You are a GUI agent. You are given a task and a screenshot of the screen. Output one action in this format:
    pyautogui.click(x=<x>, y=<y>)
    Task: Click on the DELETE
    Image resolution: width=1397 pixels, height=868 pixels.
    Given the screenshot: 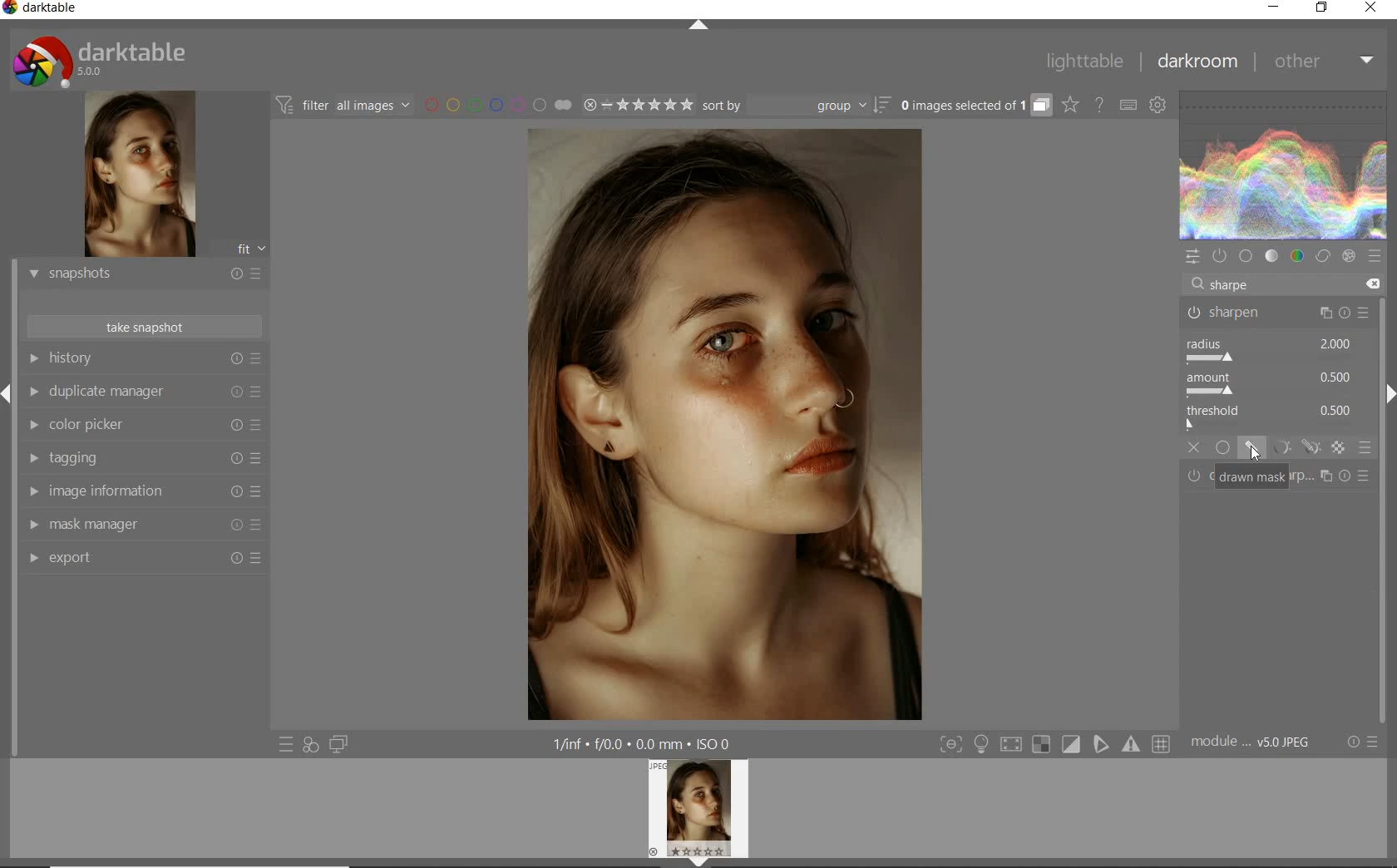 What is the action you would take?
    pyautogui.click(x=1370, y=284)
    